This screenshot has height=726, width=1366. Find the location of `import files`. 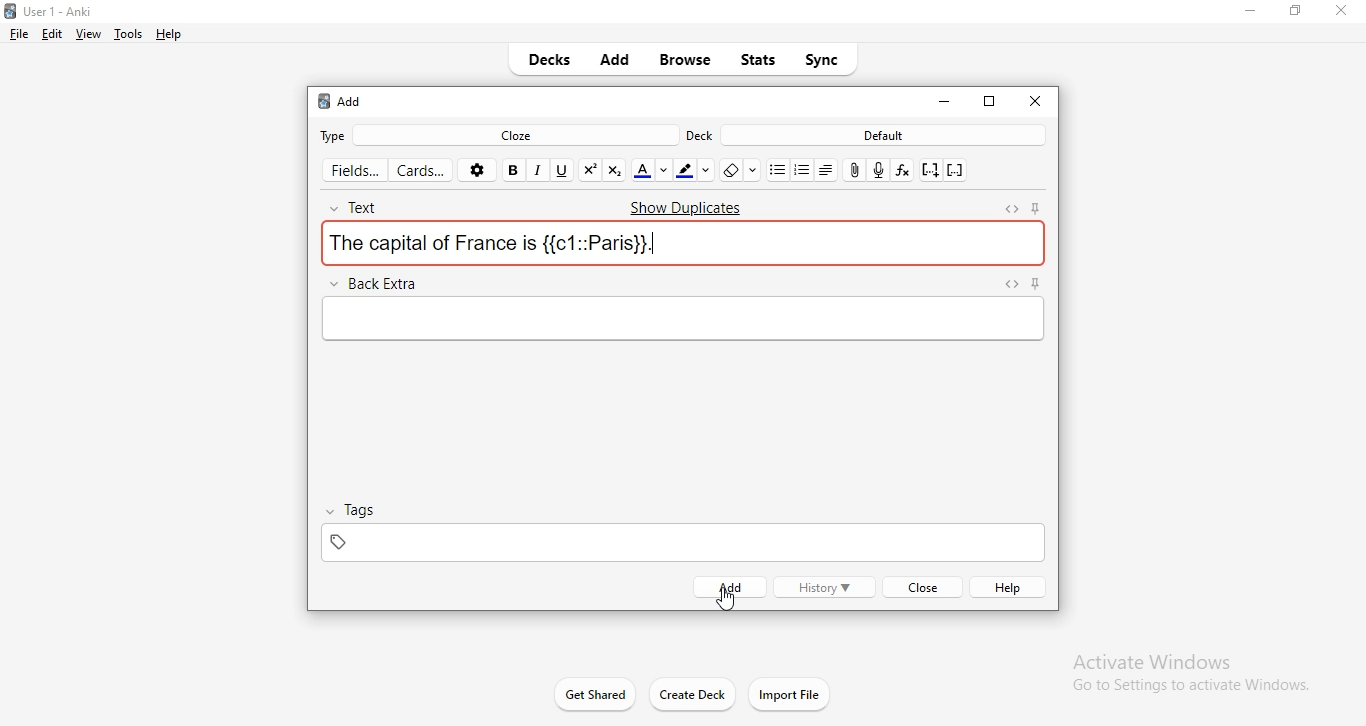

import files is located at coordinates (791, 694).